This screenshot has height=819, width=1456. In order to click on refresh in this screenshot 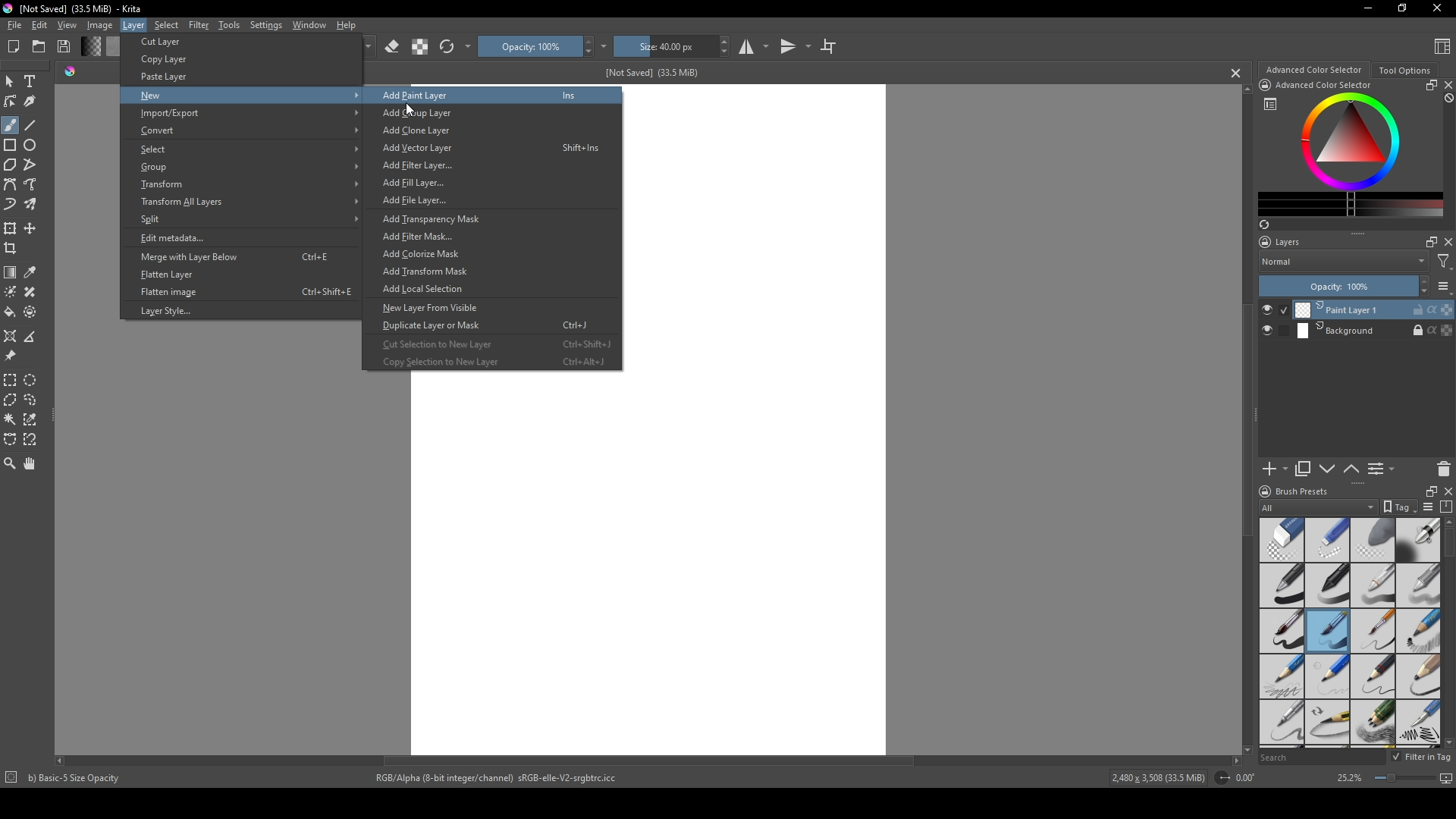, I will do `click(447, 47)`.